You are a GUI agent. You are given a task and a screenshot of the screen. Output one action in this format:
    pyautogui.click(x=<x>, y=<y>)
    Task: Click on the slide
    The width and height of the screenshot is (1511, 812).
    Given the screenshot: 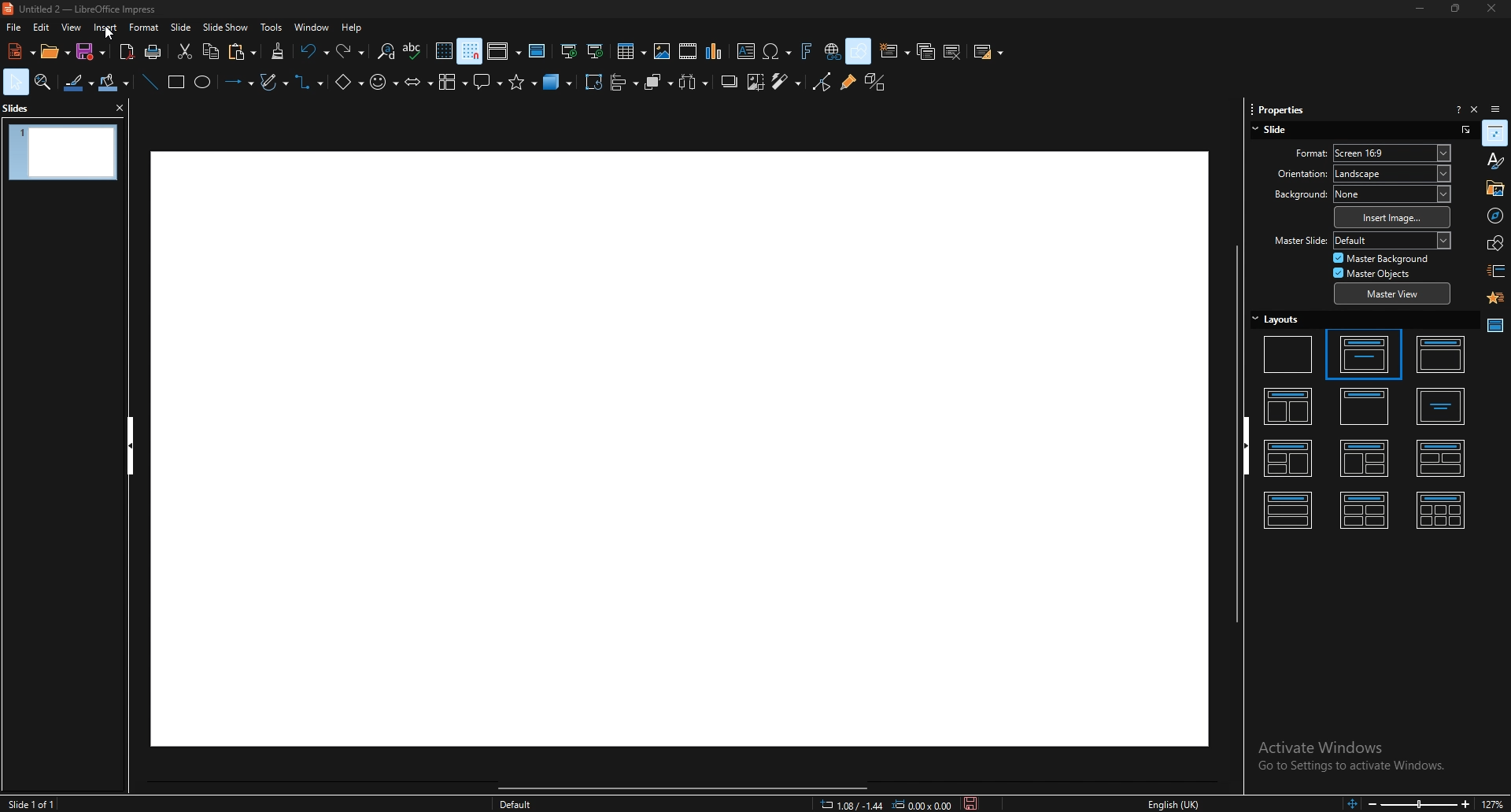 What is the action you would take?
    pyautogui.click(x=1275, y=129)
    